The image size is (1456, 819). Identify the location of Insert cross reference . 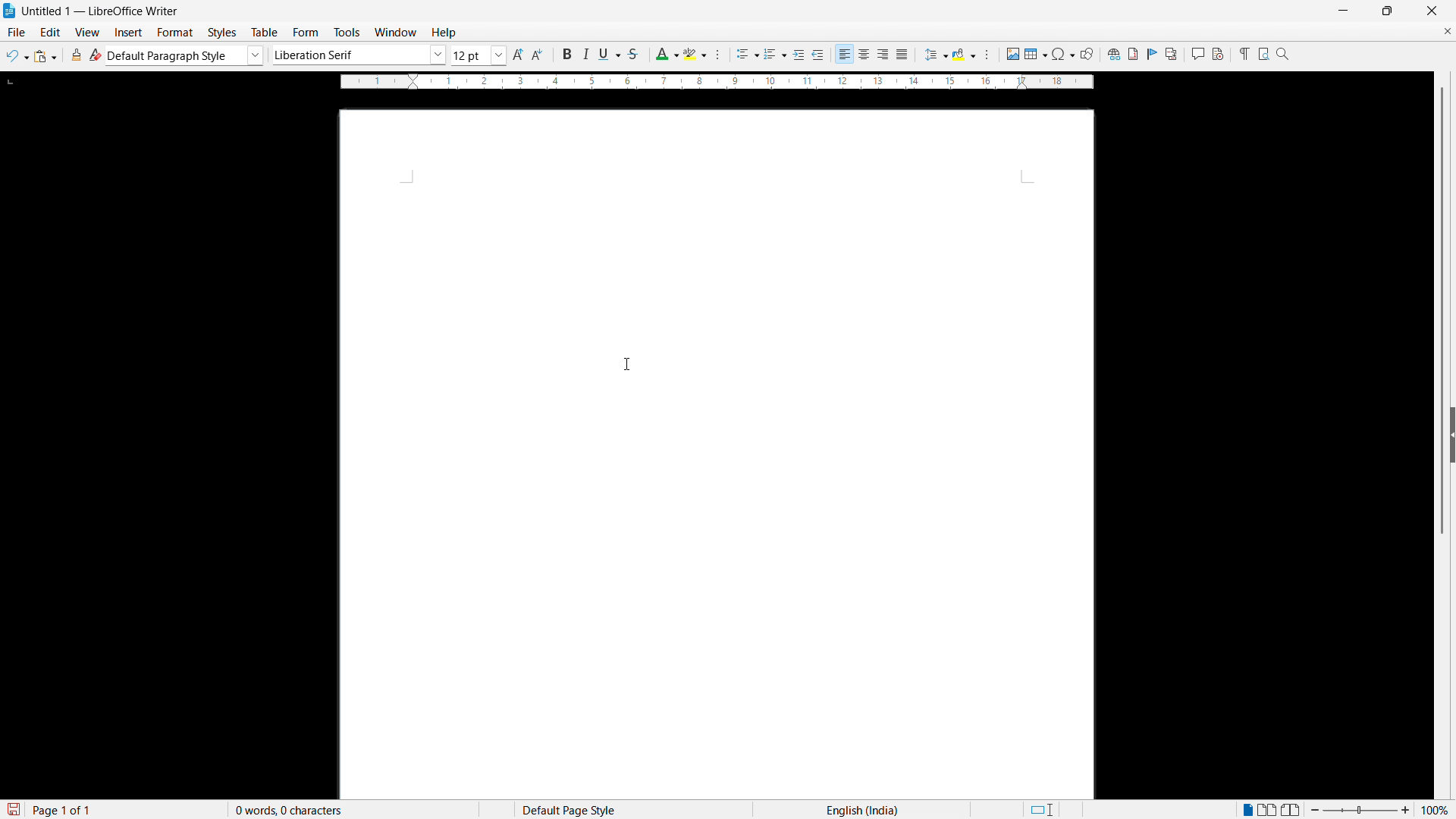
(1172, 54).